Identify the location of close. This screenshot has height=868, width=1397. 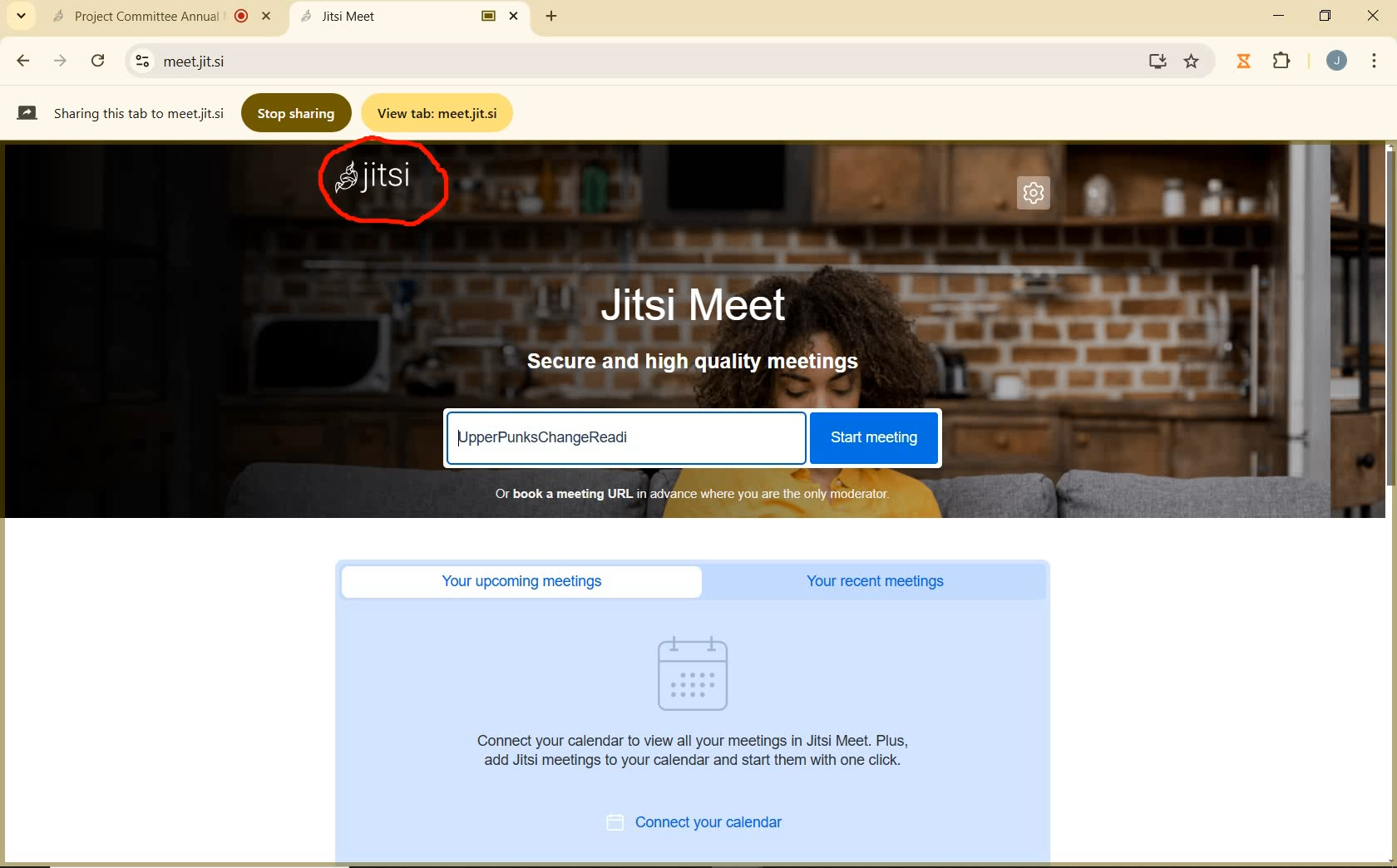
(1372, 17).